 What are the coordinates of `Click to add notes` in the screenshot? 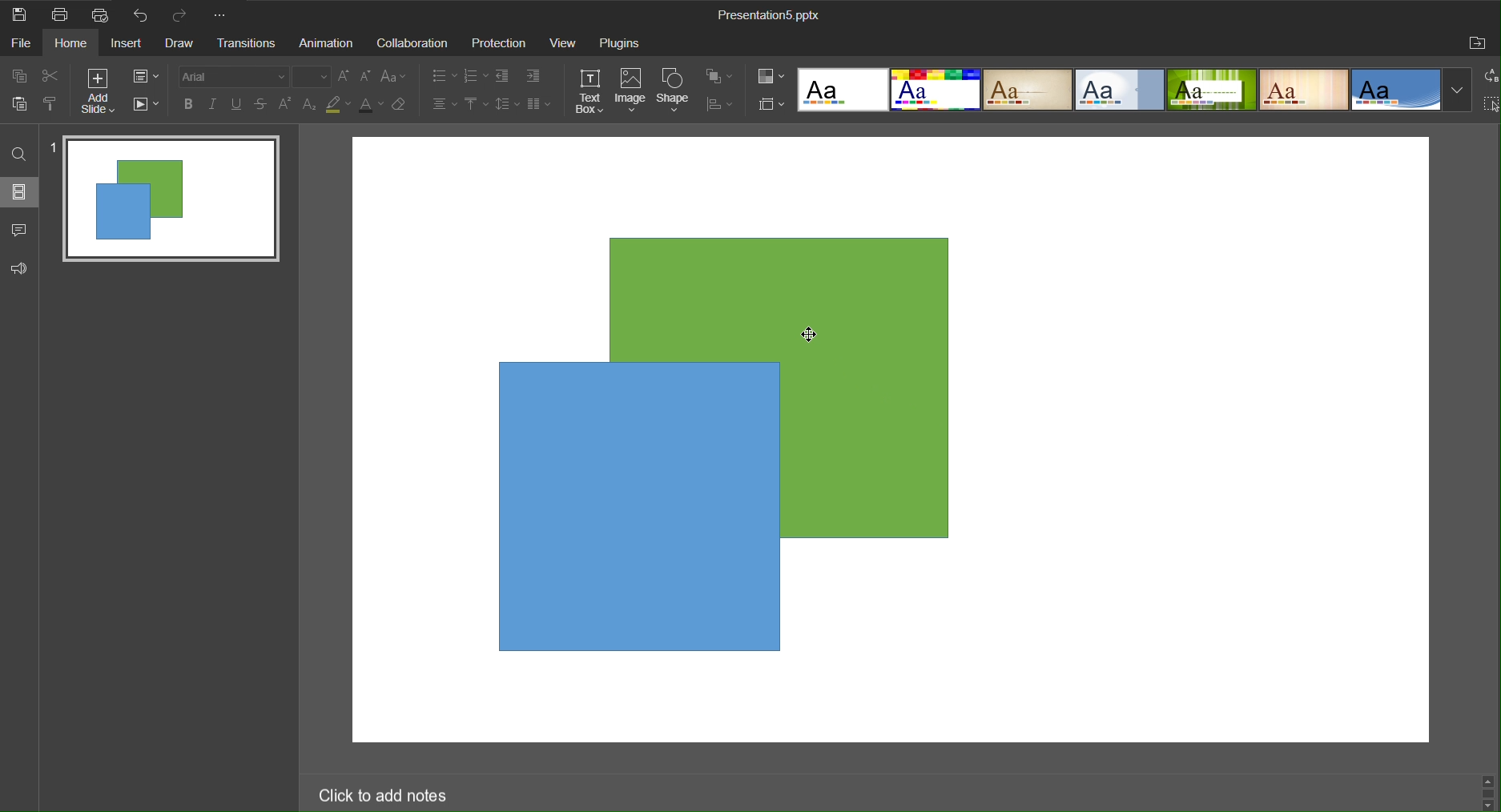 It's located at (388, 796).